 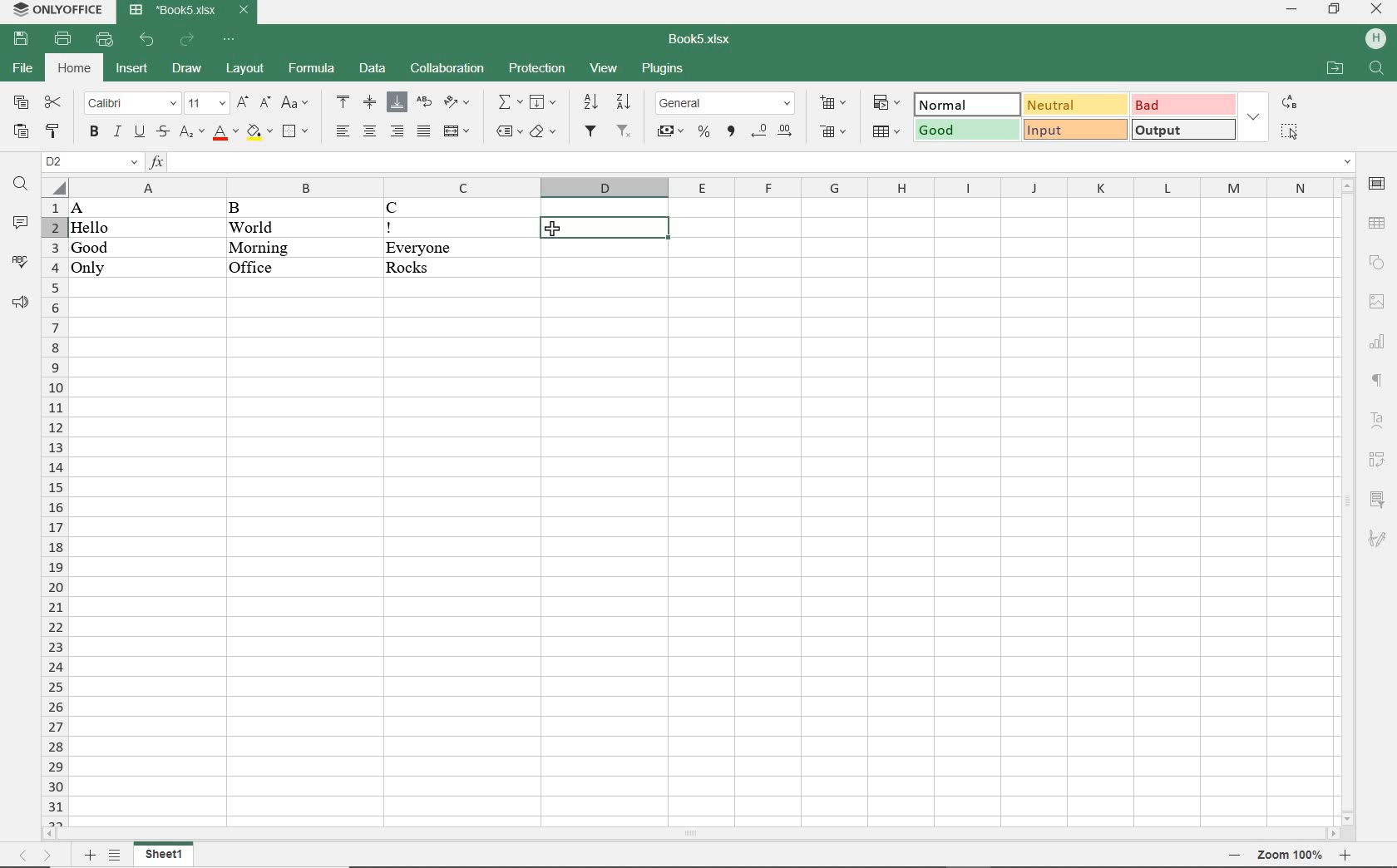 What do you see at coordinates (692, 832) in the screenshot?
I see `scrollbar` at bounding box center [692, 832].